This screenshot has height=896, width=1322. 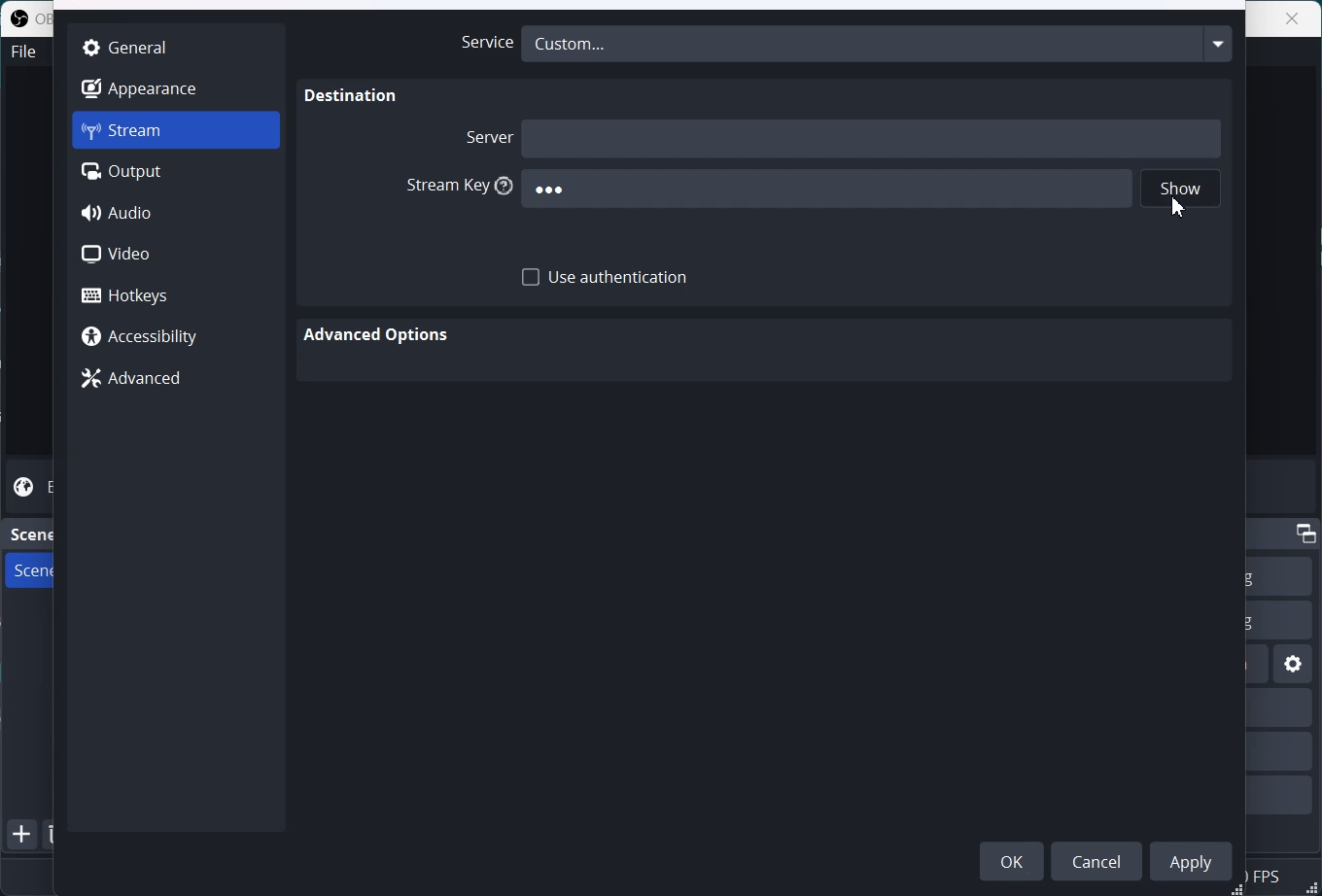 What do you see at coordinates (877, 43) in the screenshot?
I see `Custom...` at bounding box center [877, 43].